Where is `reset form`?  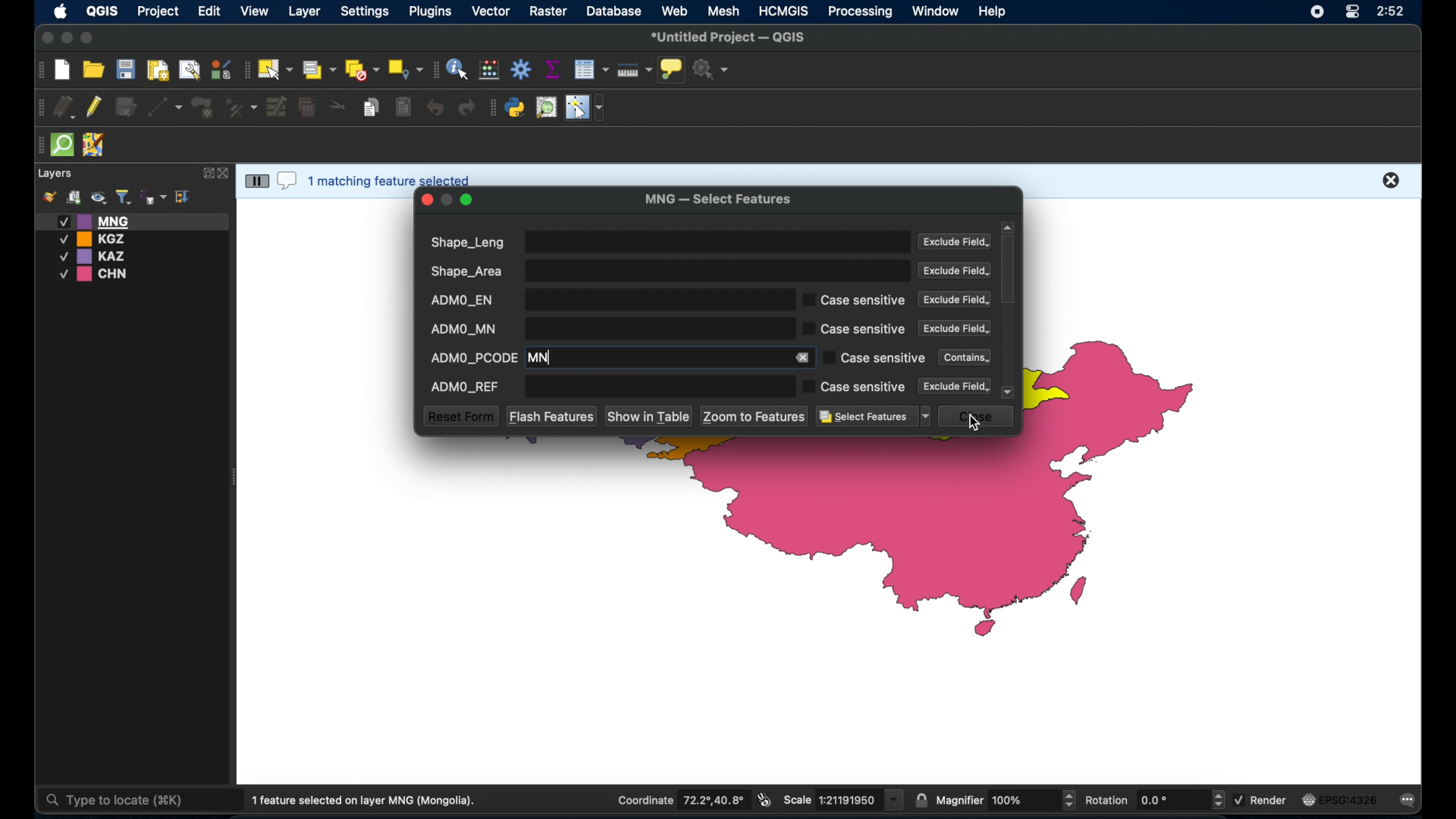
reset form is located at coordinates (460, 416).